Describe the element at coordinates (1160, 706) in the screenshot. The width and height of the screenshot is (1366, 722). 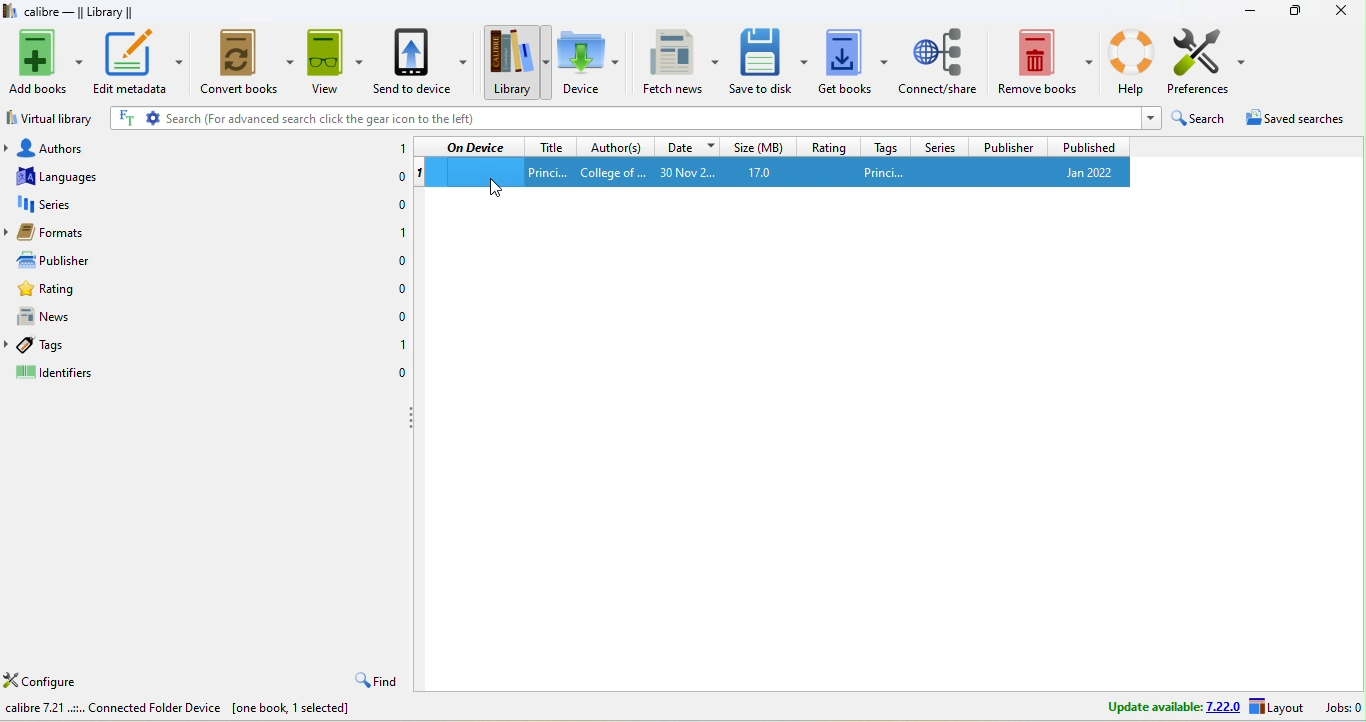
I see `update avalable 7.22.0` at that location.